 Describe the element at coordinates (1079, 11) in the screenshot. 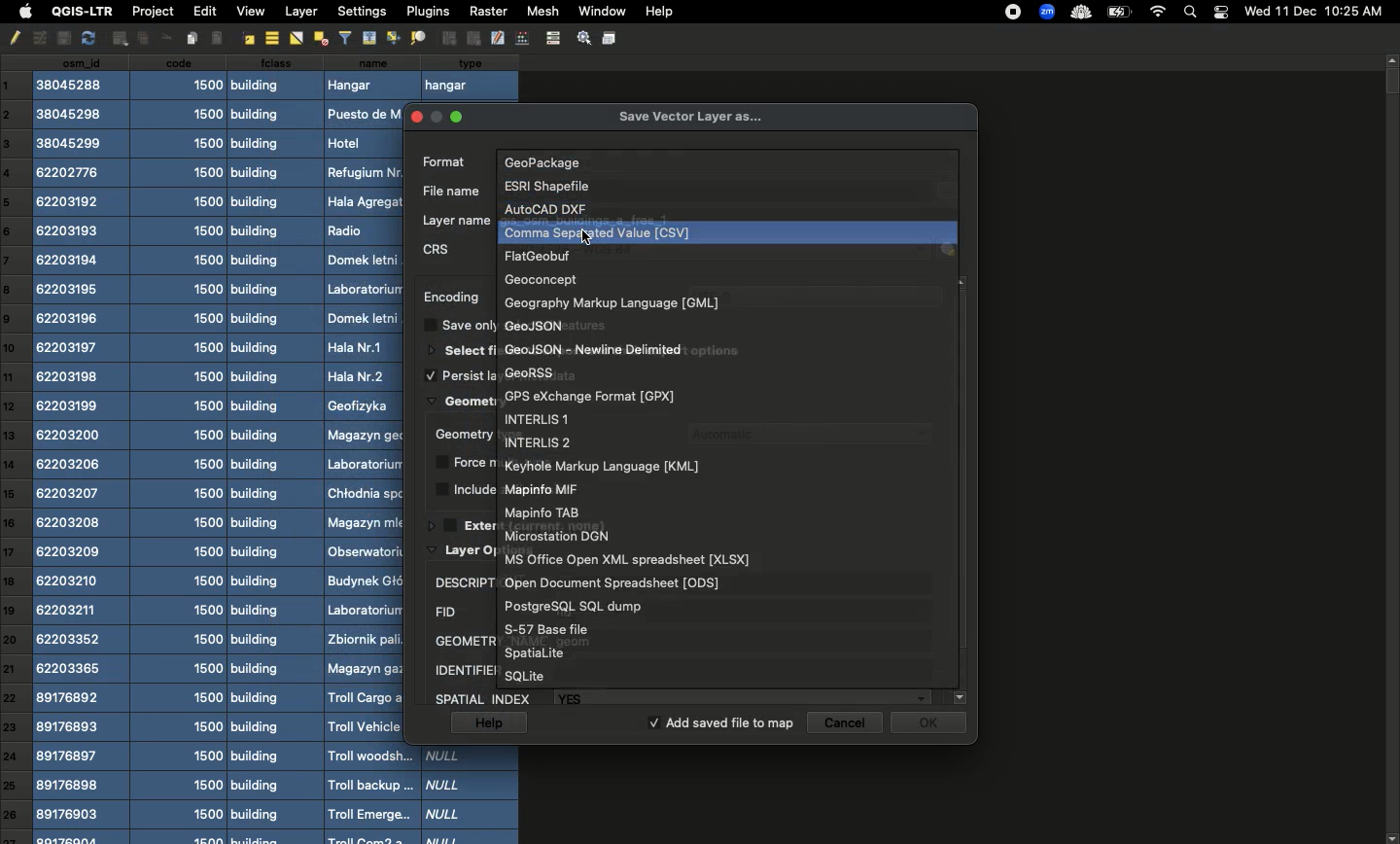

I see `cloud` at that location.